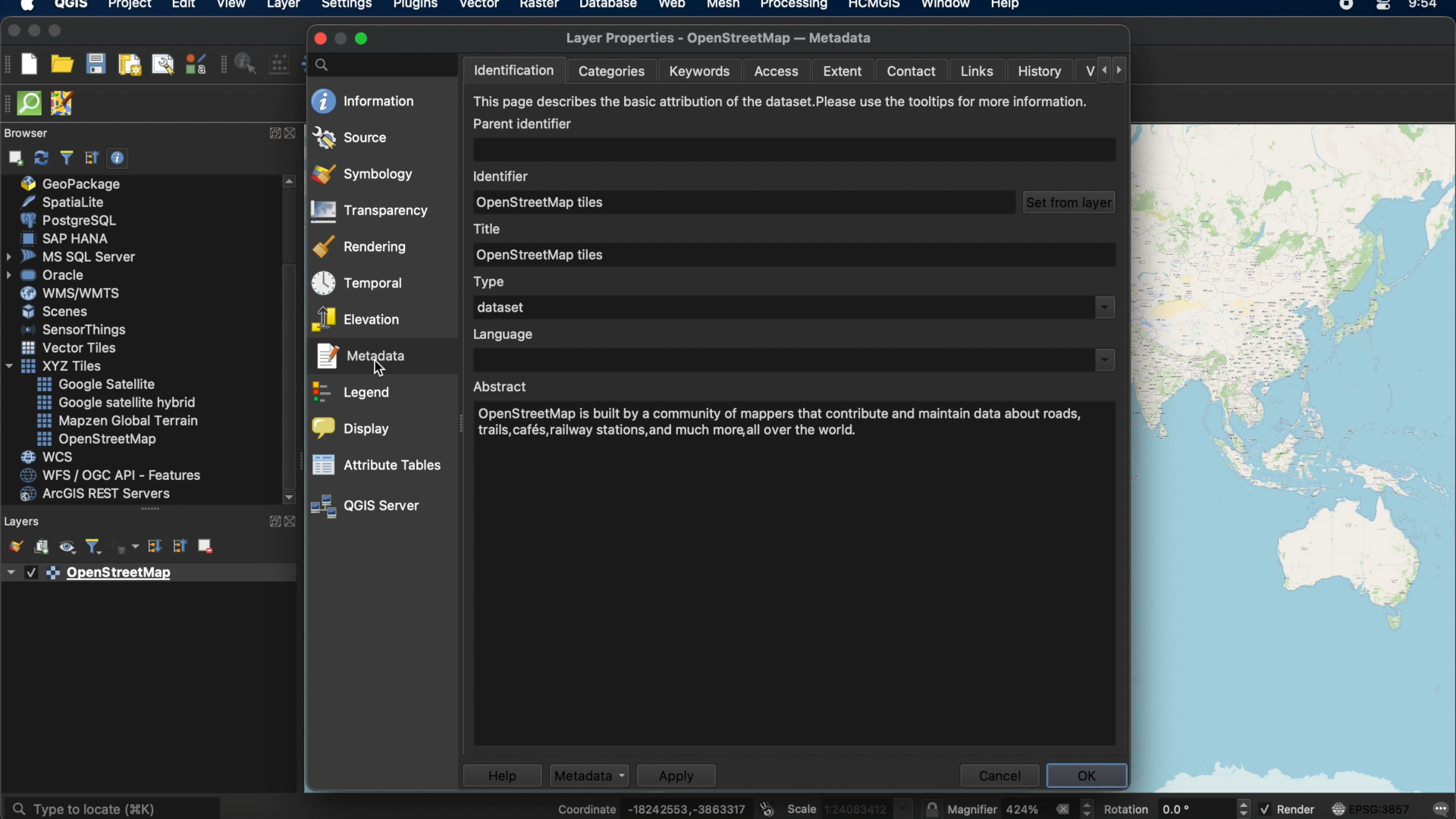 Image resolution: width=1456 pixels, height=819 pixels. What do you see at coordinates (933, 807) in the screenshot?
I see `lock scale` at bounding box center [933, 807].